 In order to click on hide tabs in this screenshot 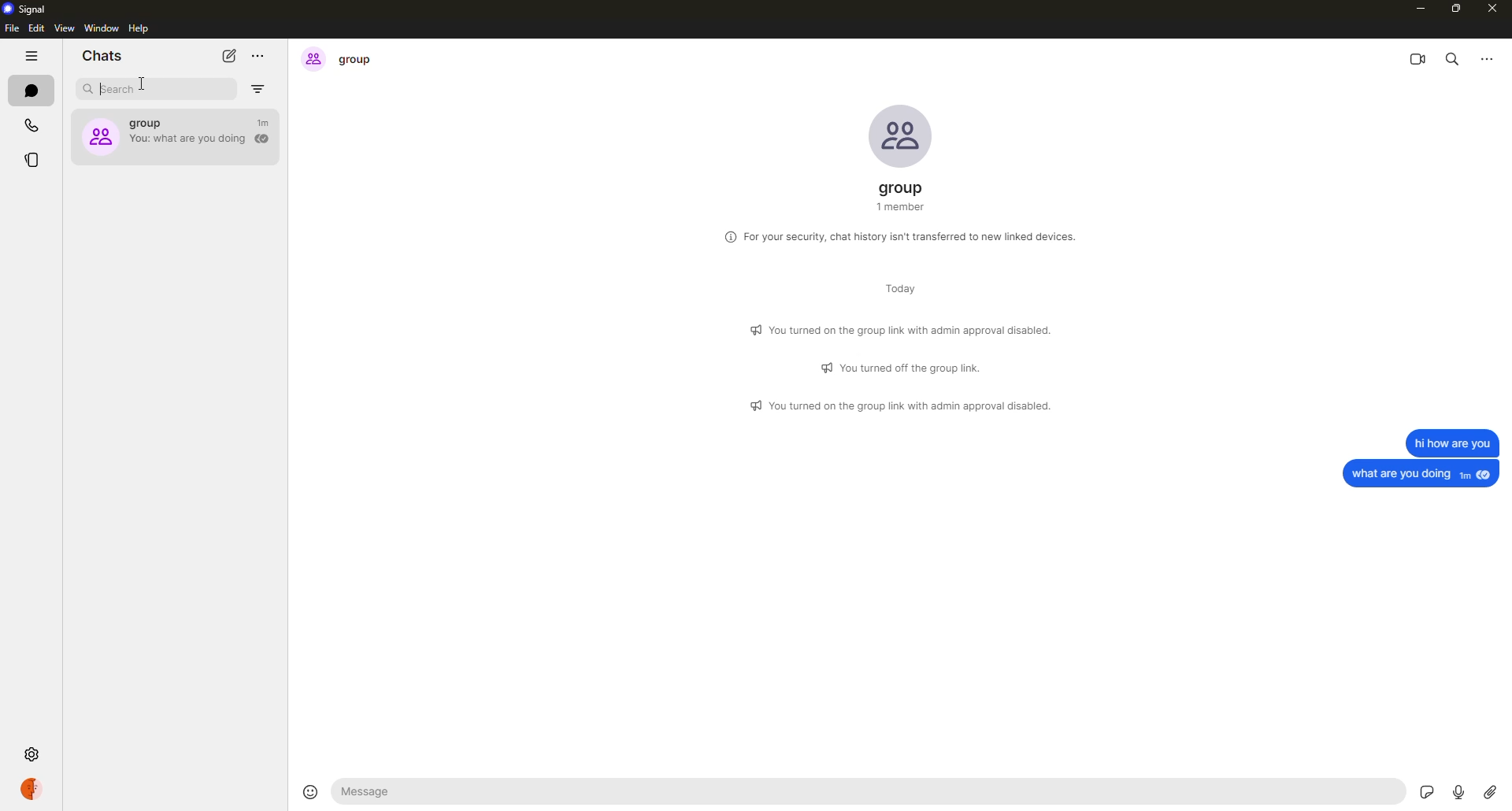, I will do `click(31, 57)`.